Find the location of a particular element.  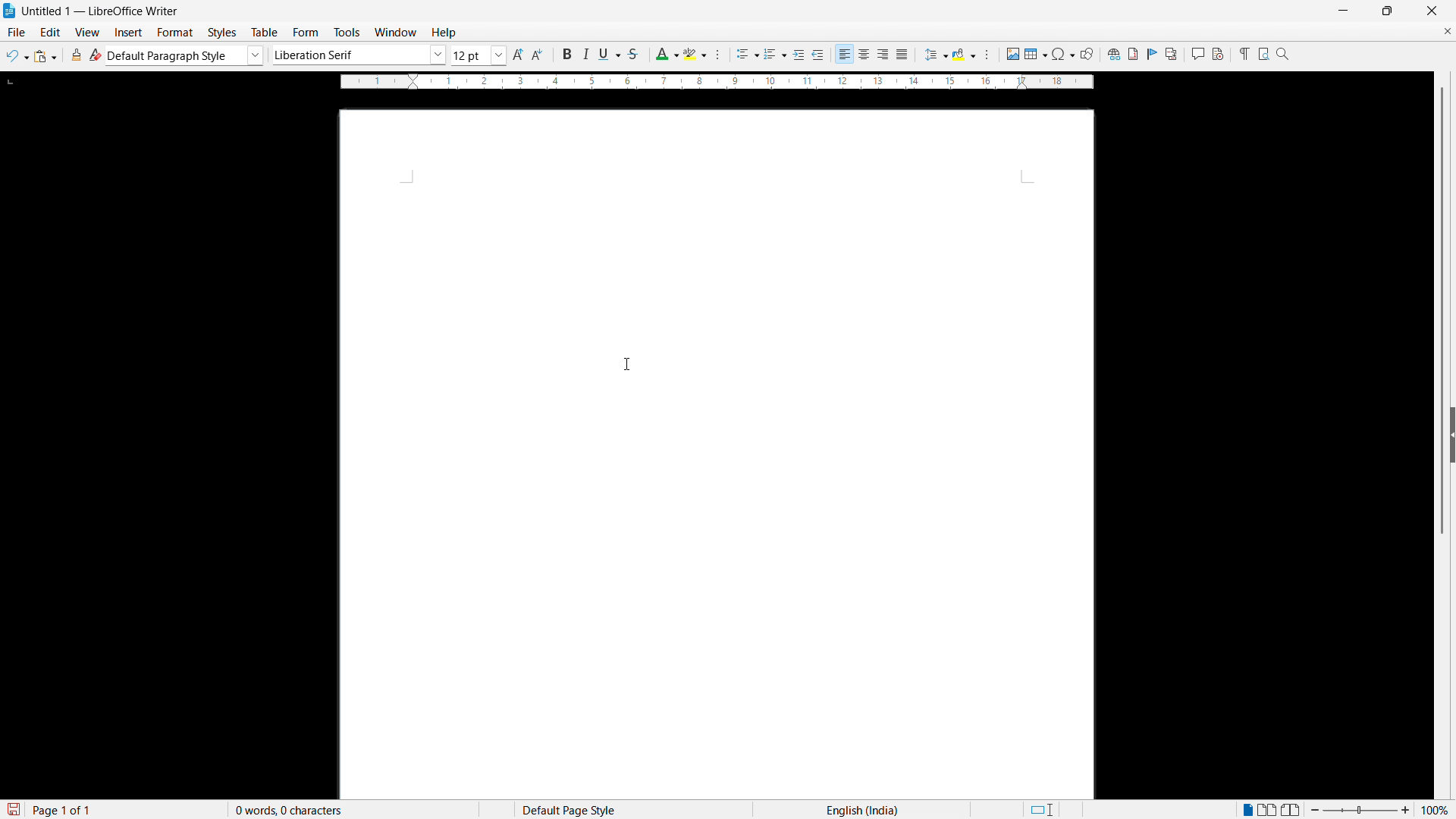

Insert footnote  is located at coordinates (1132, 54).